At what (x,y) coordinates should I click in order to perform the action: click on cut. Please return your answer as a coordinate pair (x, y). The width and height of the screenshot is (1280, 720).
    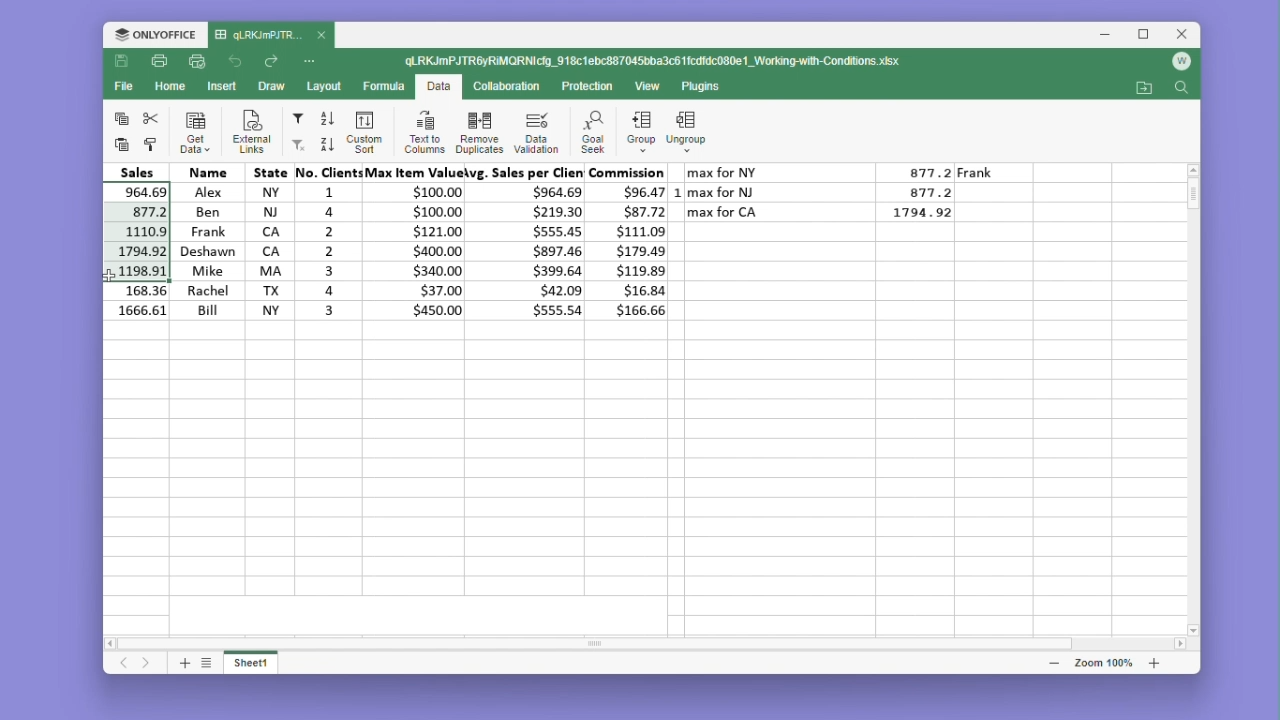
    Looking at the image, I should click on (151, 118).